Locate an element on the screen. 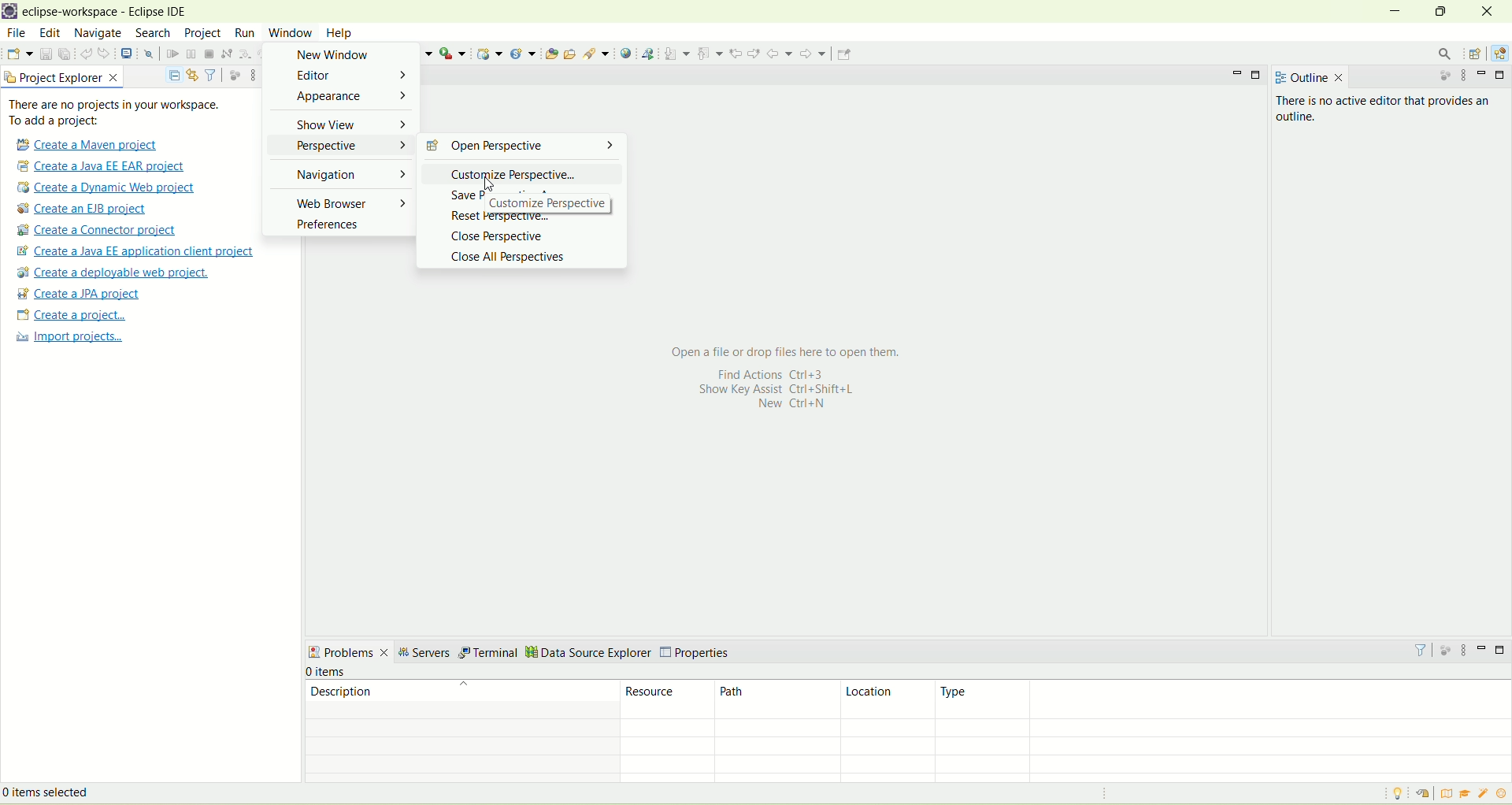  number of items is located at coordinates (339, 672).